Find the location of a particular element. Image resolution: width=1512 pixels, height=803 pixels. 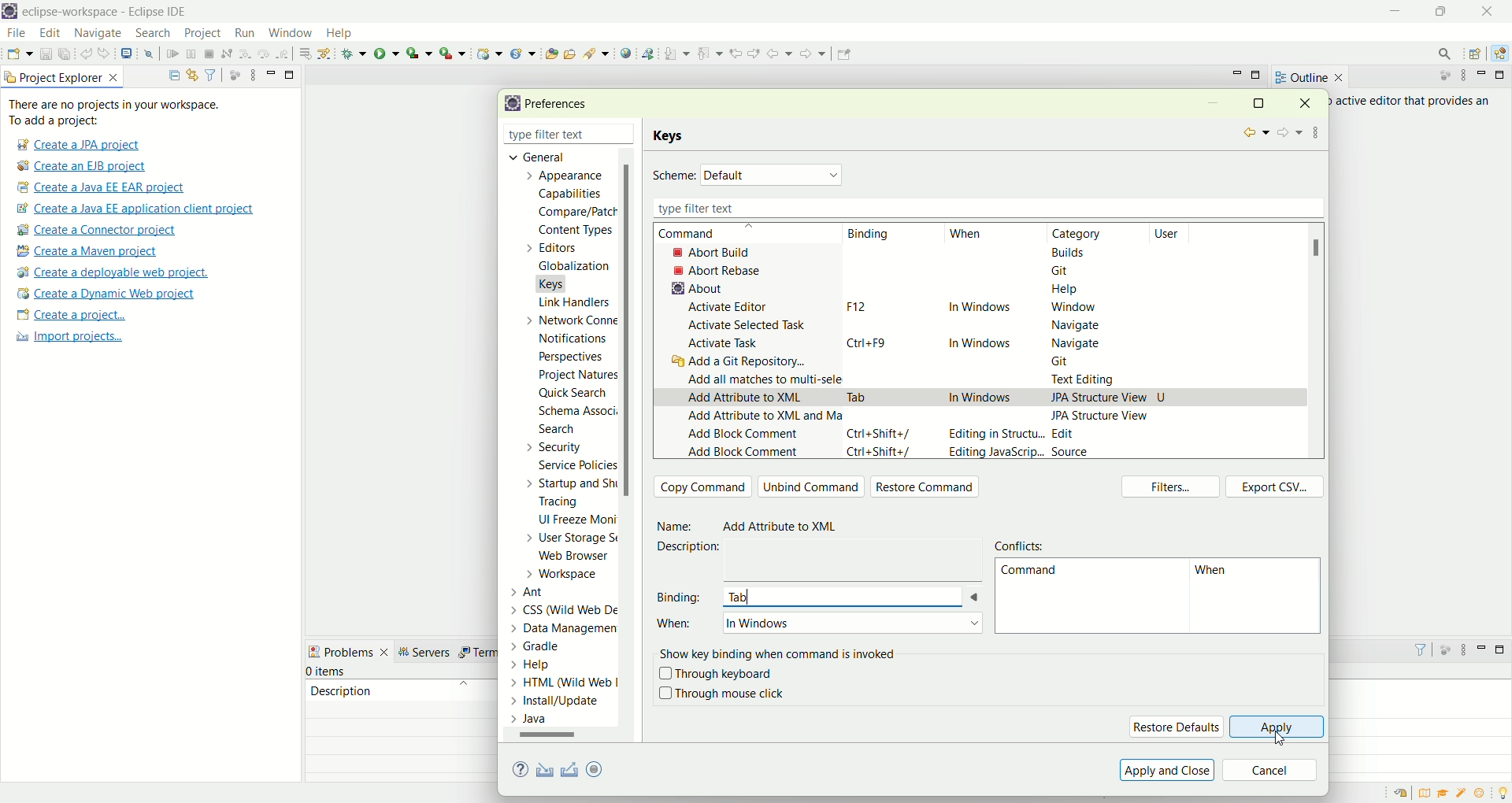

add block comment is located at coordinates (743, 453).